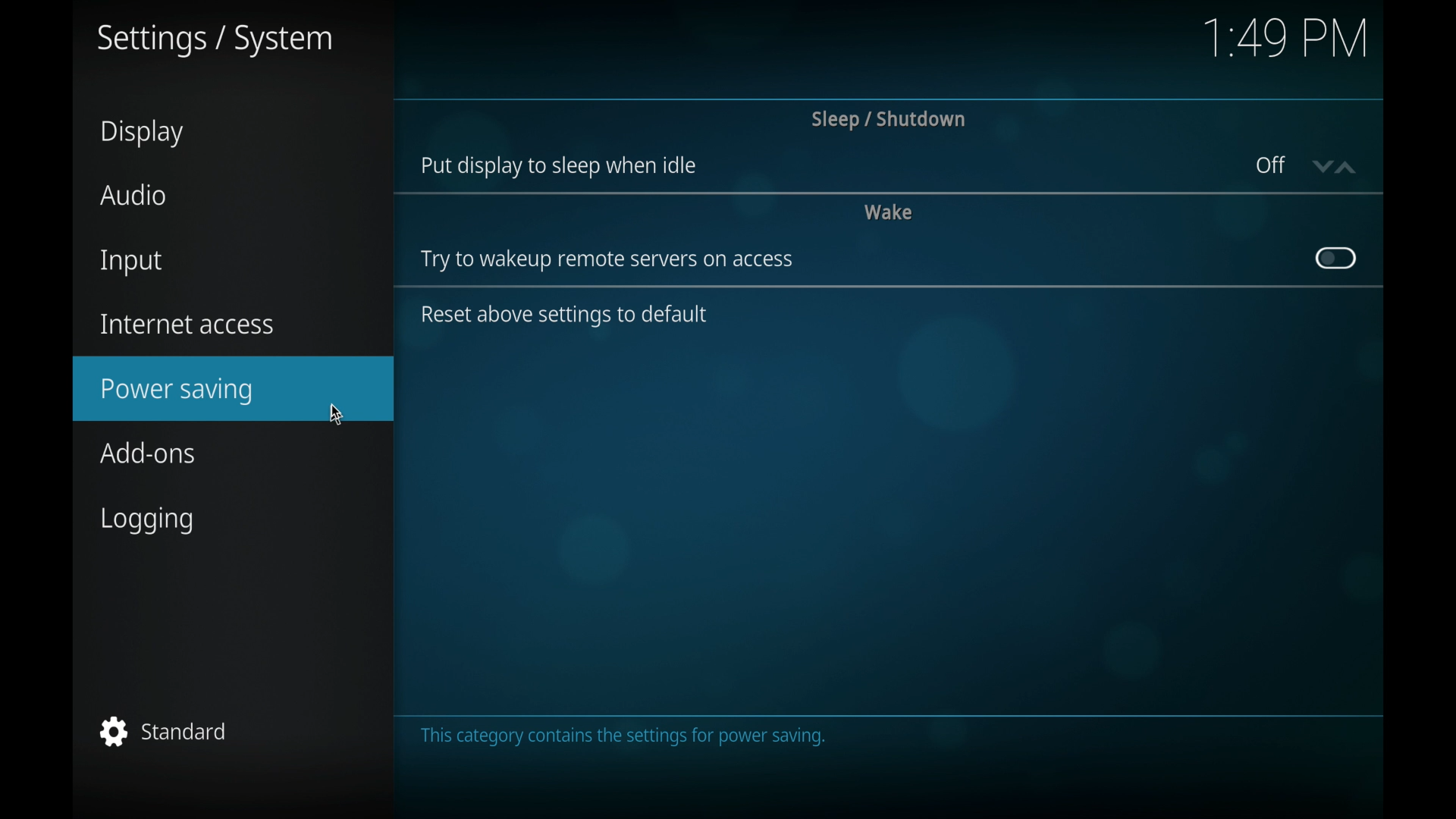 The width and height of the screenshot is (1456, 819). I want to click on display, so click(141, 133).